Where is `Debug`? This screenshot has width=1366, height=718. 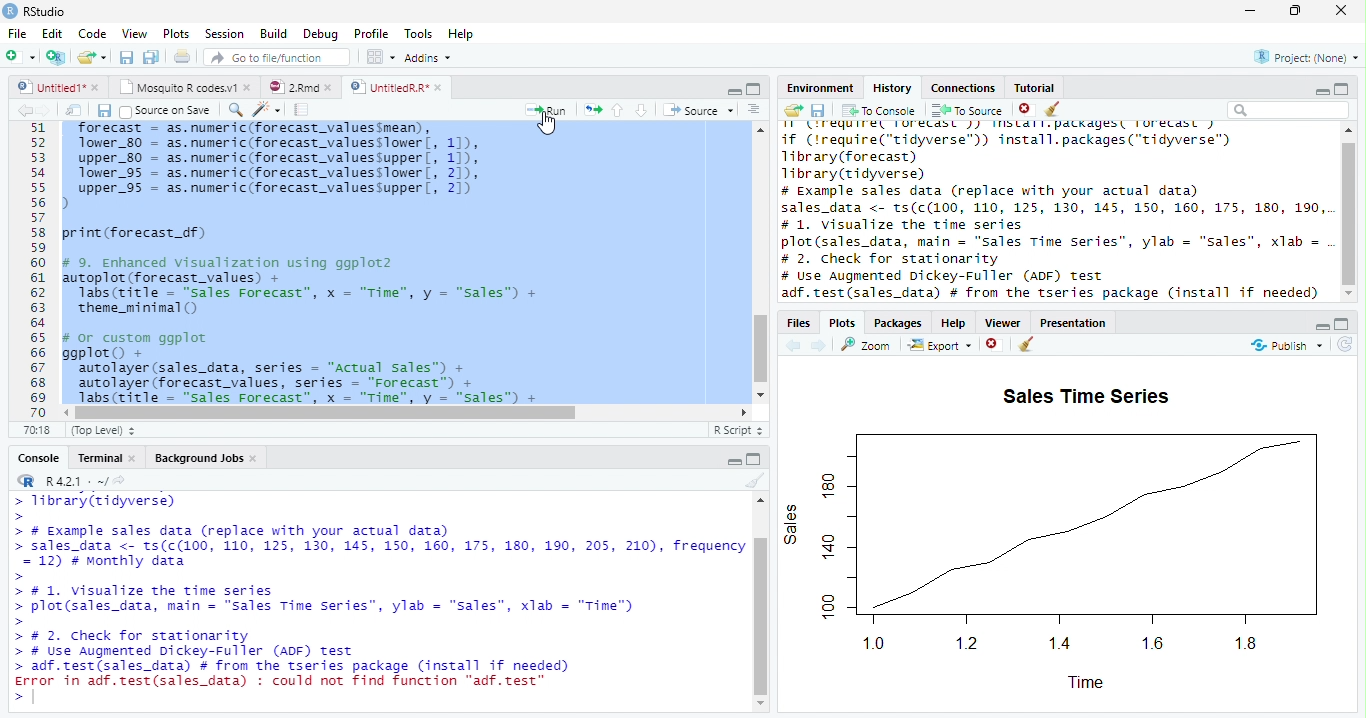
Debug is located at coordinates (321, 33).